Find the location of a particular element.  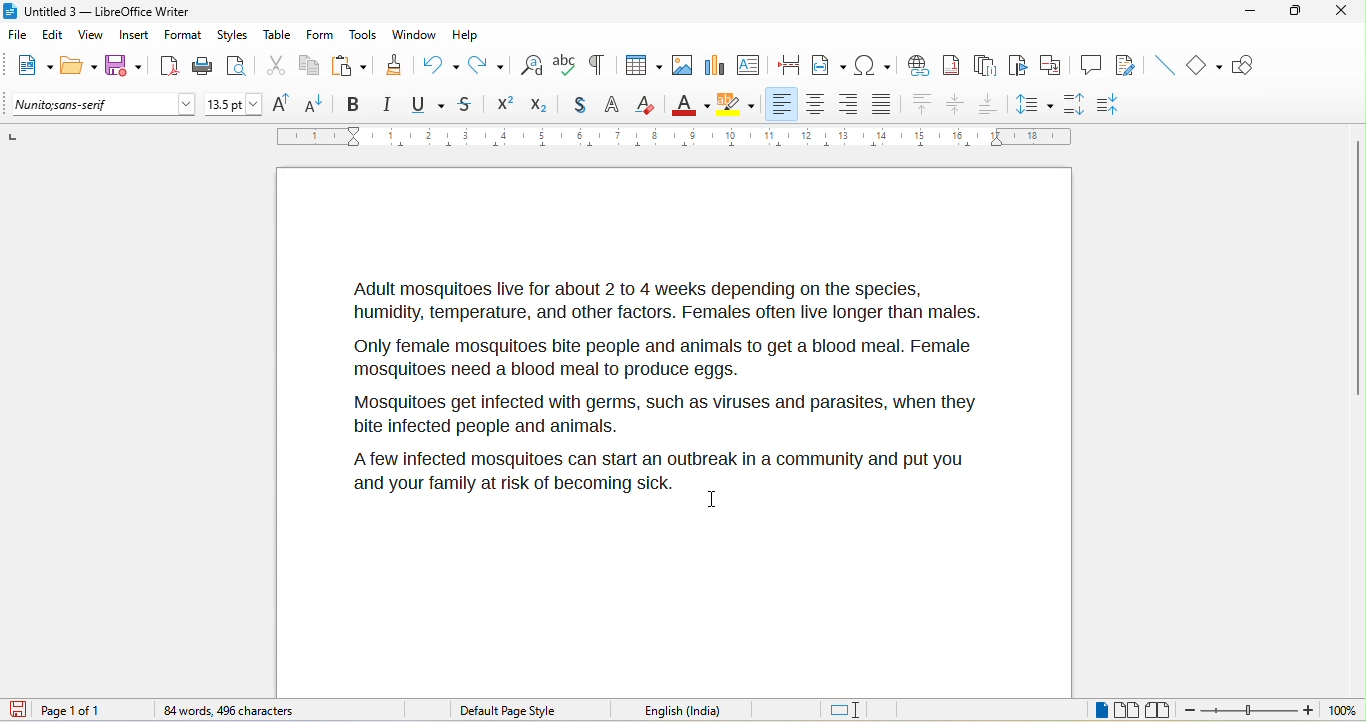

tools is located at coordinates (362, 36).